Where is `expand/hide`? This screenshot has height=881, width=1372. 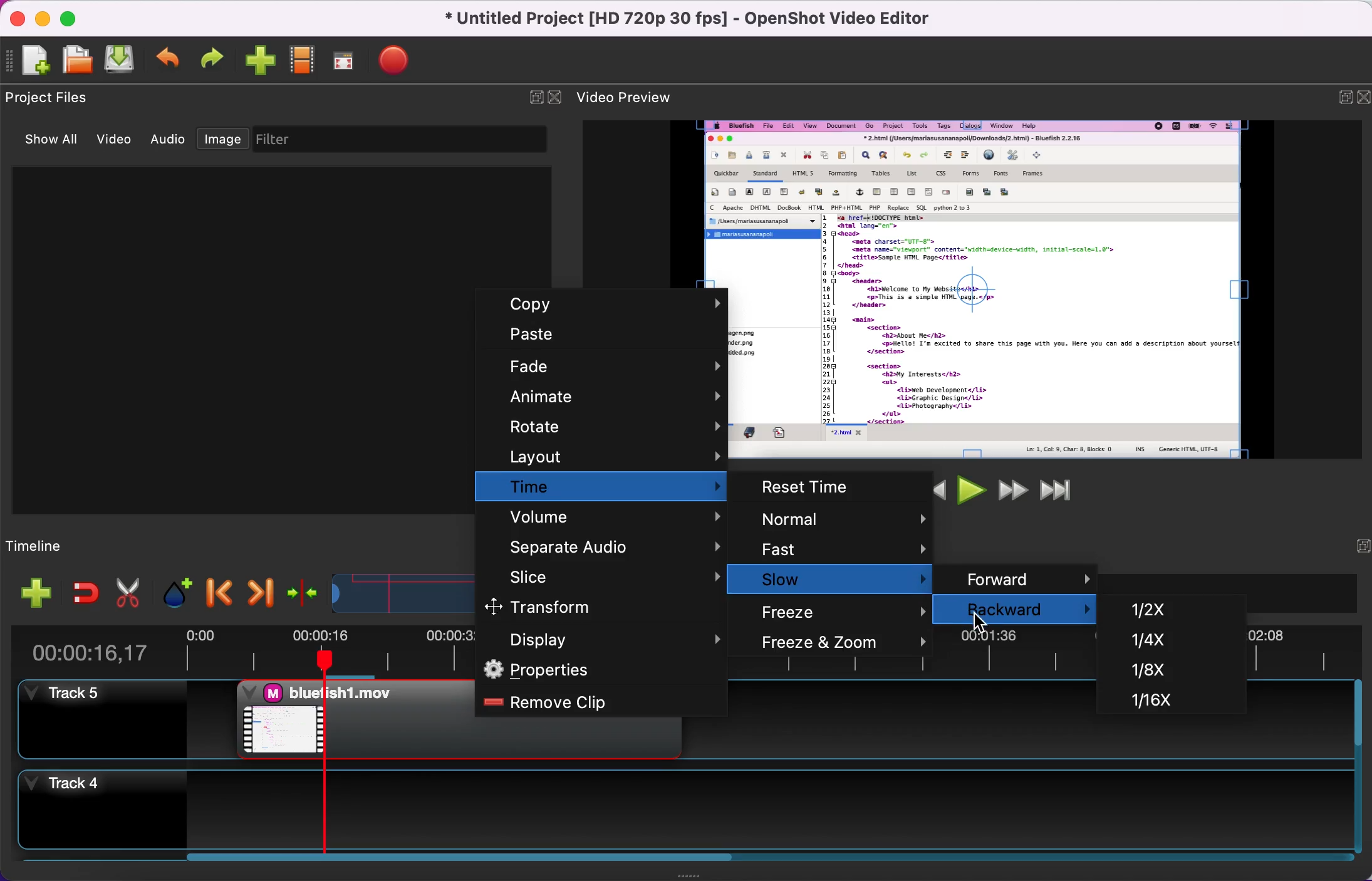
expand/hide is located at coordinates (1338, 96).